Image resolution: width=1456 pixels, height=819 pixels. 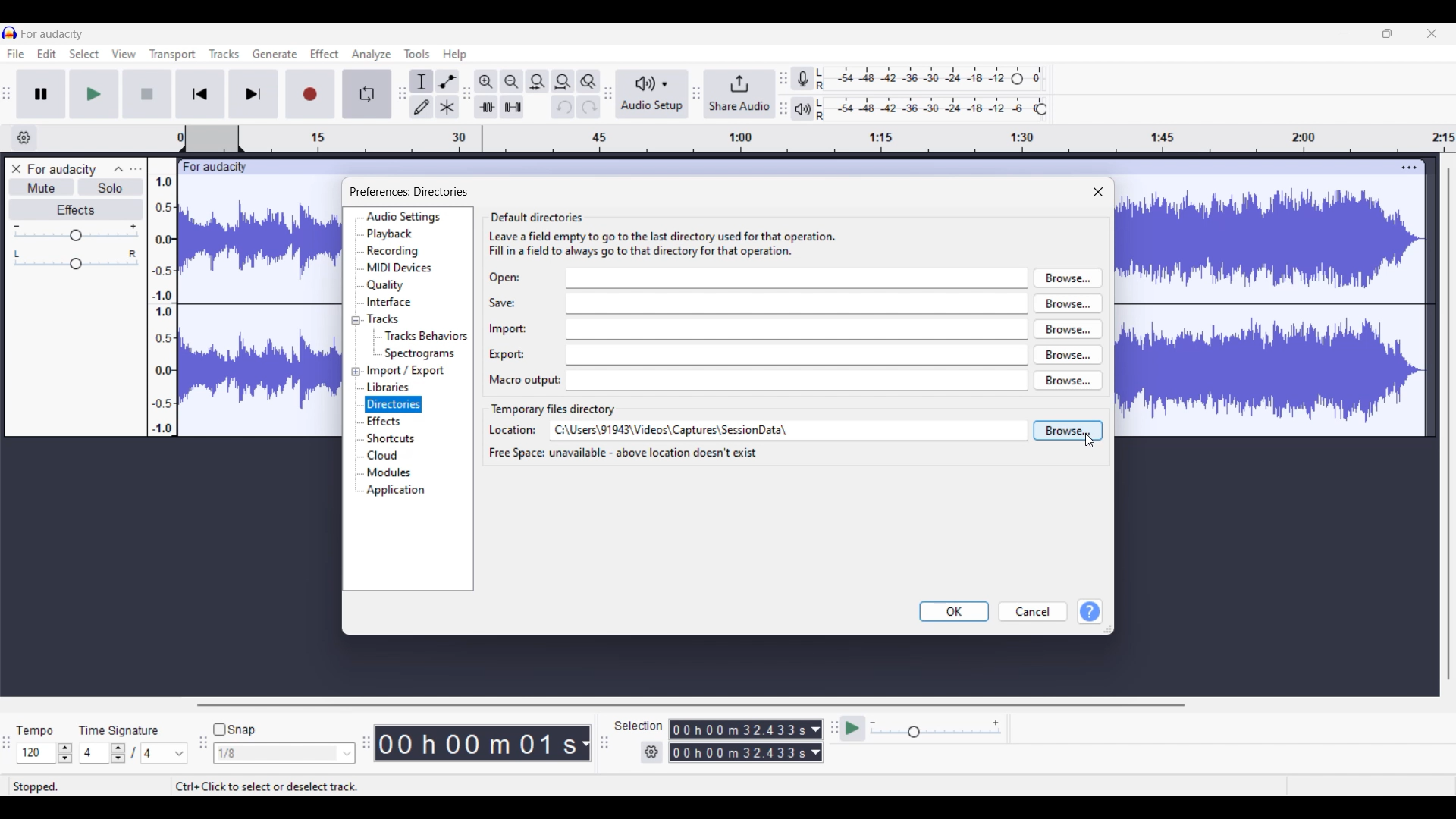 What do you see at coordinates (119, 730) in the screenshot?
I see `Indicates time signature settings` at bounding box center [119, 730].